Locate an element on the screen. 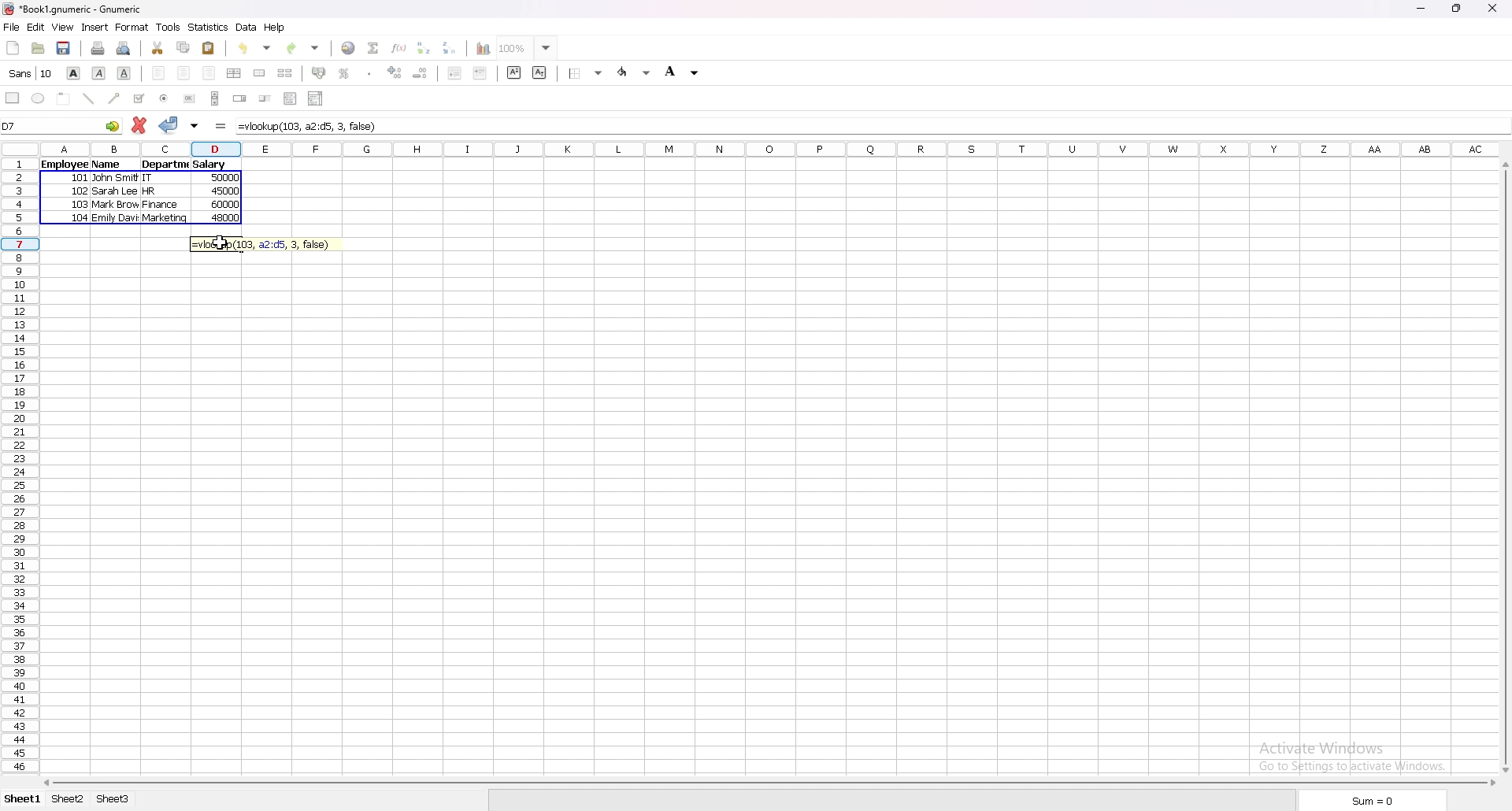 The width and height of the screenshot is (1512, 811). thousands separator is located at coordinates (369, 72).